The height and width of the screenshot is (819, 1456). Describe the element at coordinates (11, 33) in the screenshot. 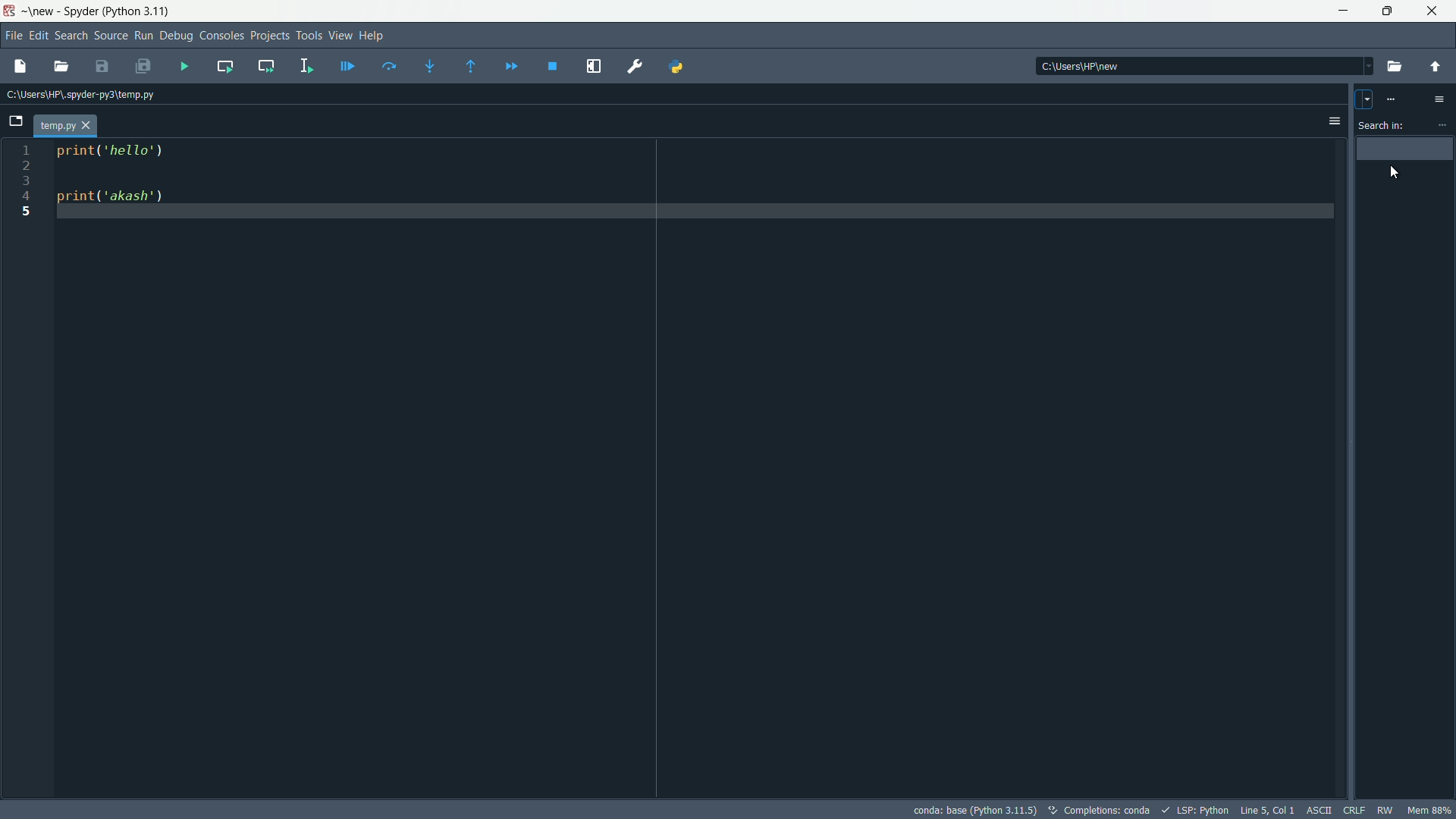

I see `File menu` at that location.